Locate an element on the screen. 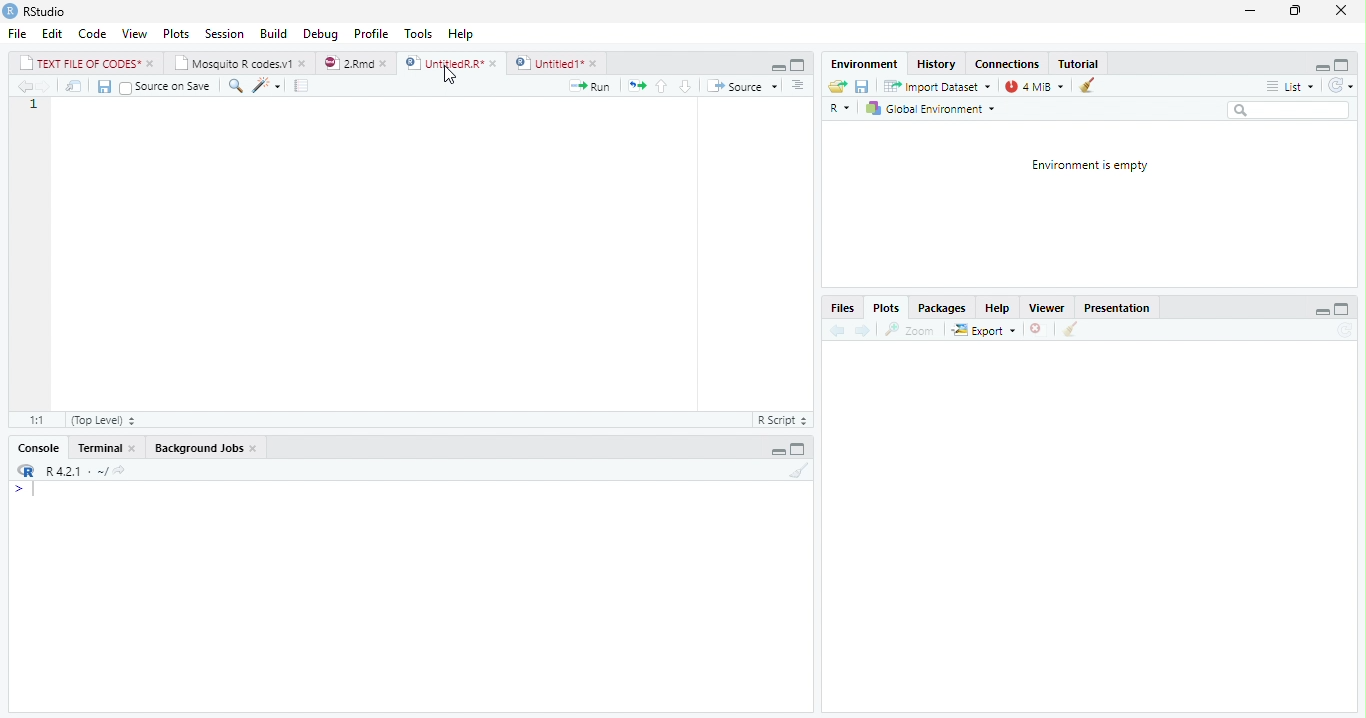 This screenshot has width=1366, height=718. go to previous section/chunk is located at coordinates (661, 86).